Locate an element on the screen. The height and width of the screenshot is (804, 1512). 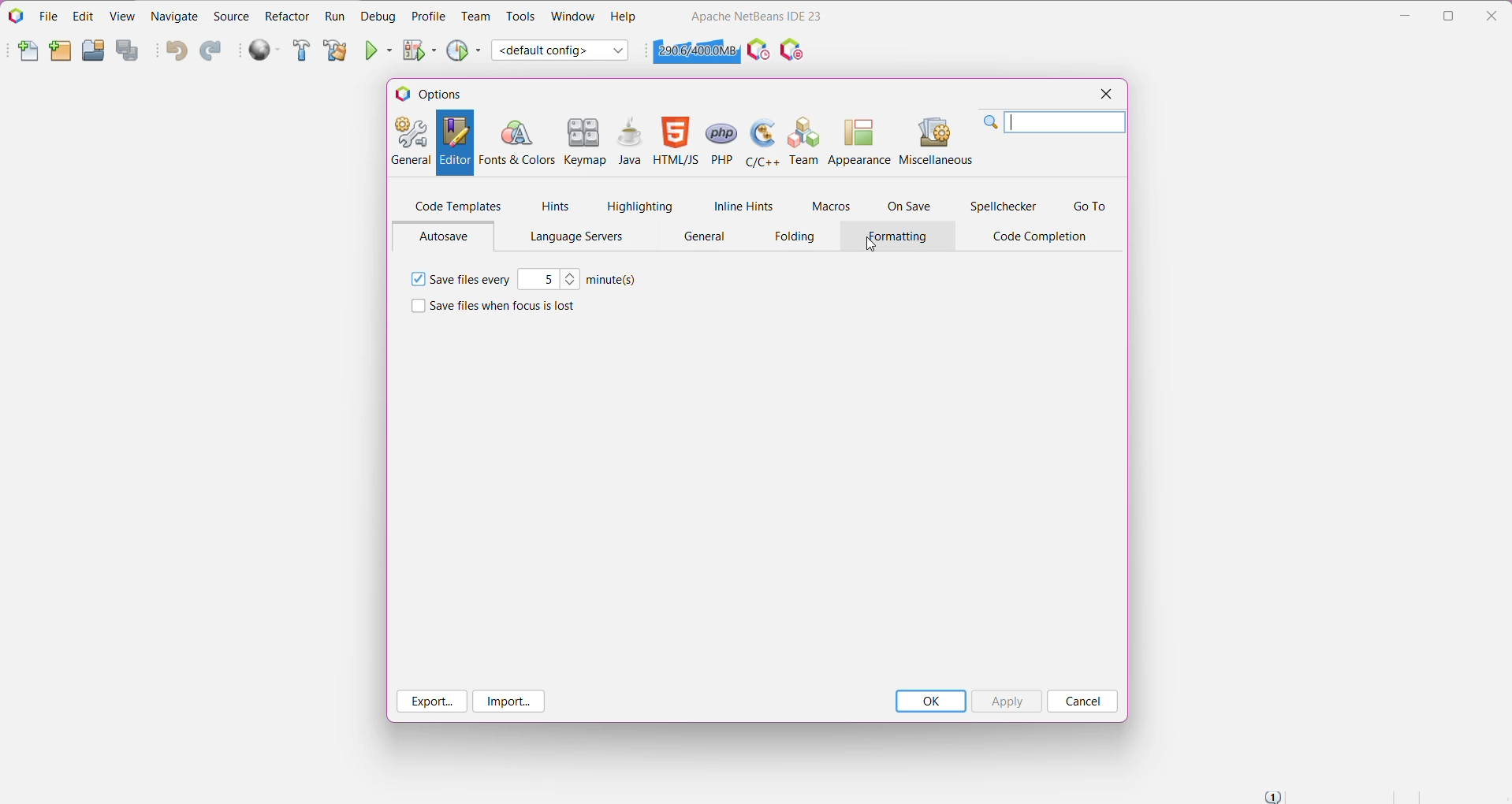
Restore Down is located at coordinates (1451, 16).